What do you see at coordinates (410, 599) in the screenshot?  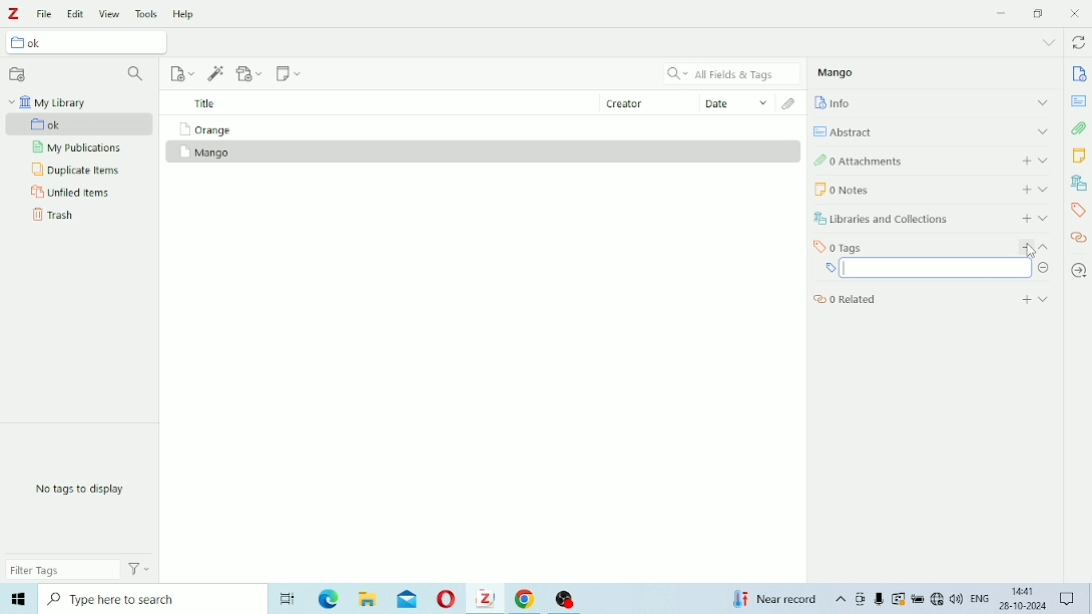 I see `Mail` at bounding box center [410, 599].